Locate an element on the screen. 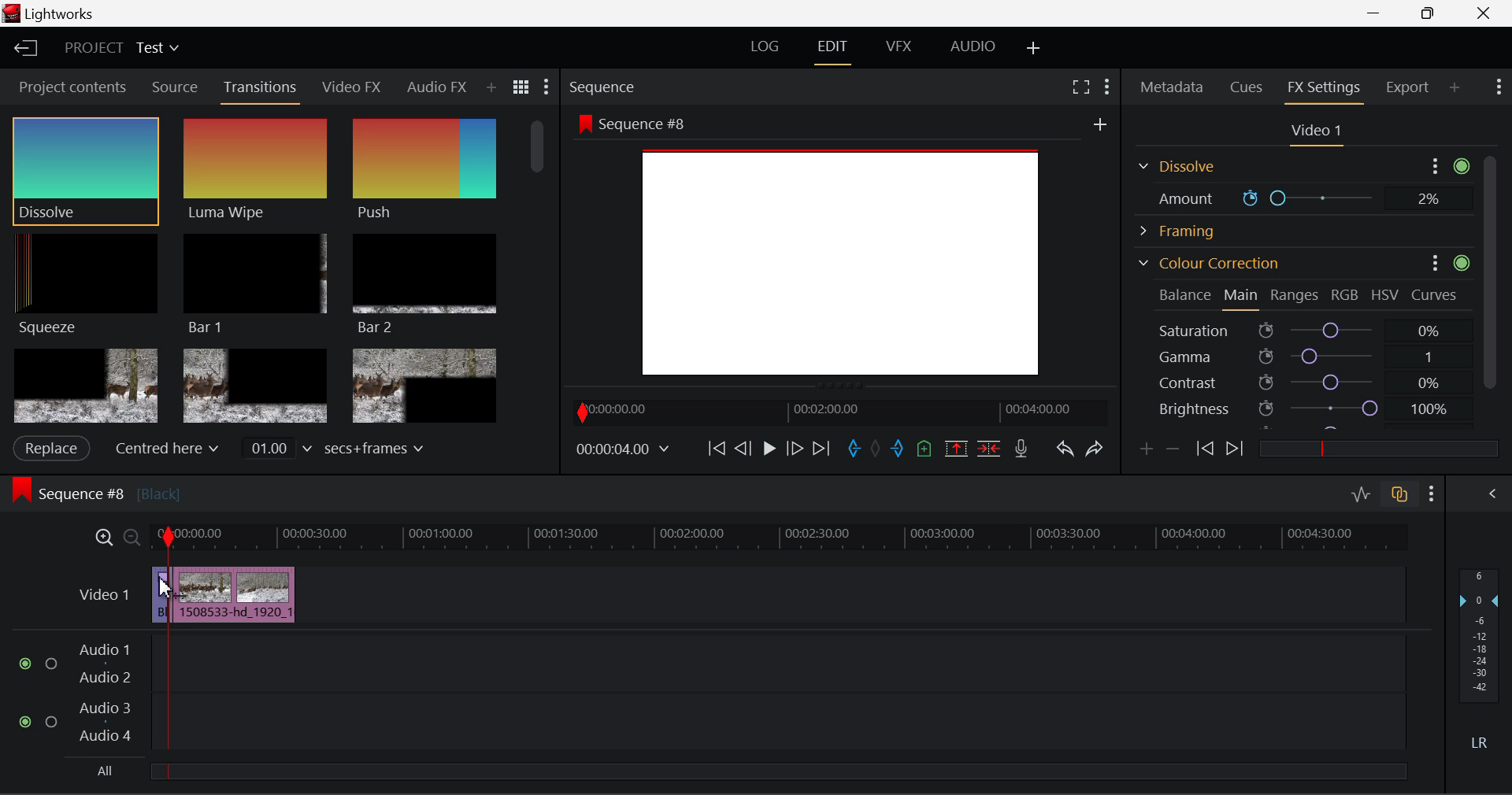 The image size is (1512, 795). Brightness is located at coordinates (1317, 410).